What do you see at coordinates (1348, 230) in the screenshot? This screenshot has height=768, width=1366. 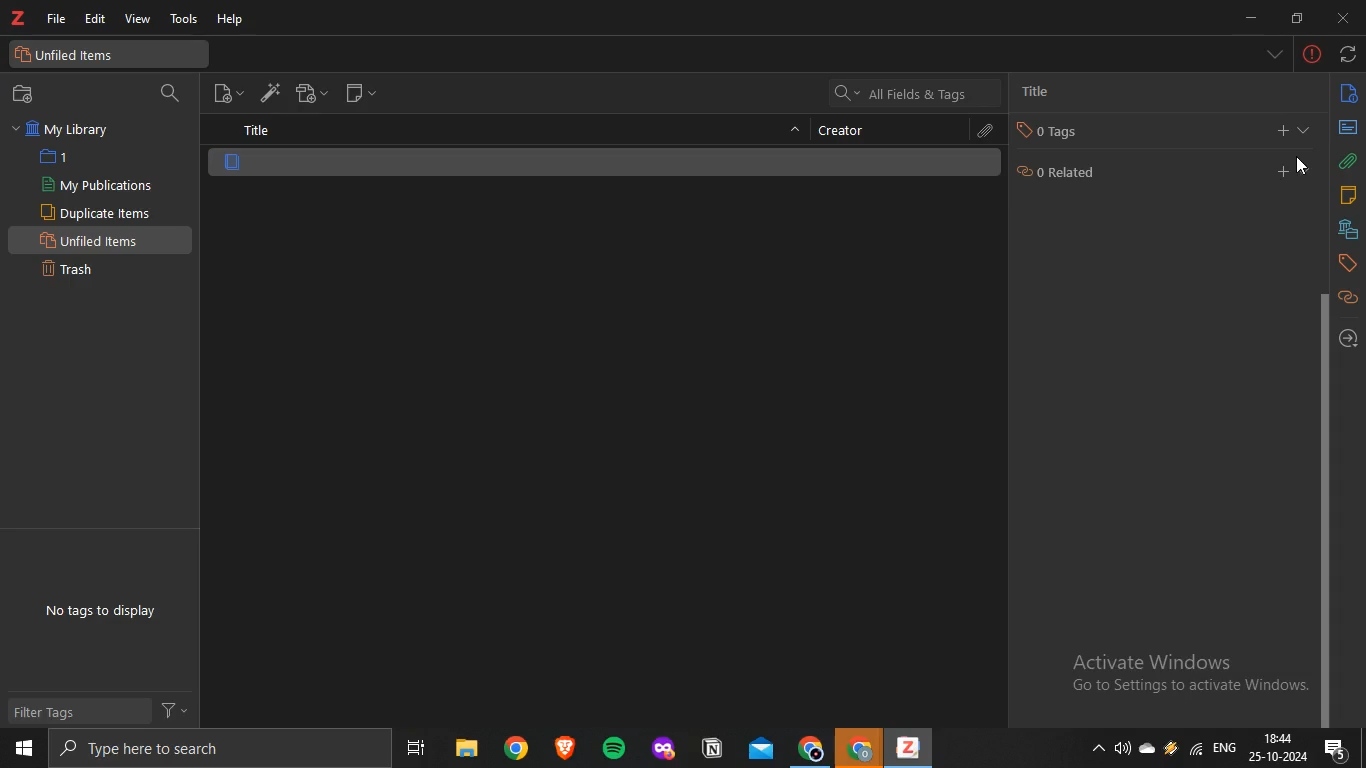 I see `libraries and collection` at bounding box center [1348, 230].